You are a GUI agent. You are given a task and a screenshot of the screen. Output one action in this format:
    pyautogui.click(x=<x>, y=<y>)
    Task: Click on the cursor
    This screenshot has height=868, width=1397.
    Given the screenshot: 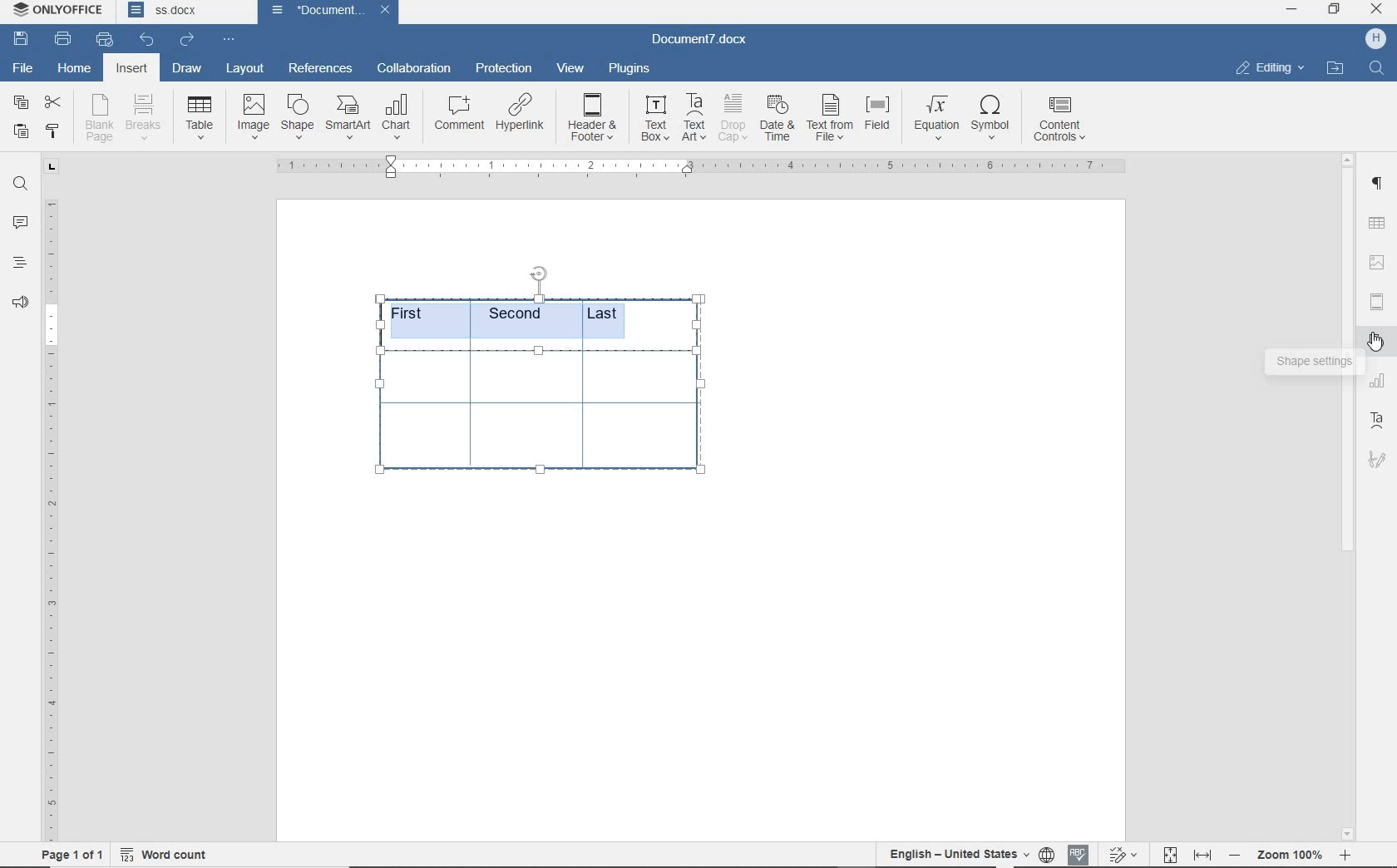 What is the action you would take?
    pyautogui.click(x=1366, y=353)
    